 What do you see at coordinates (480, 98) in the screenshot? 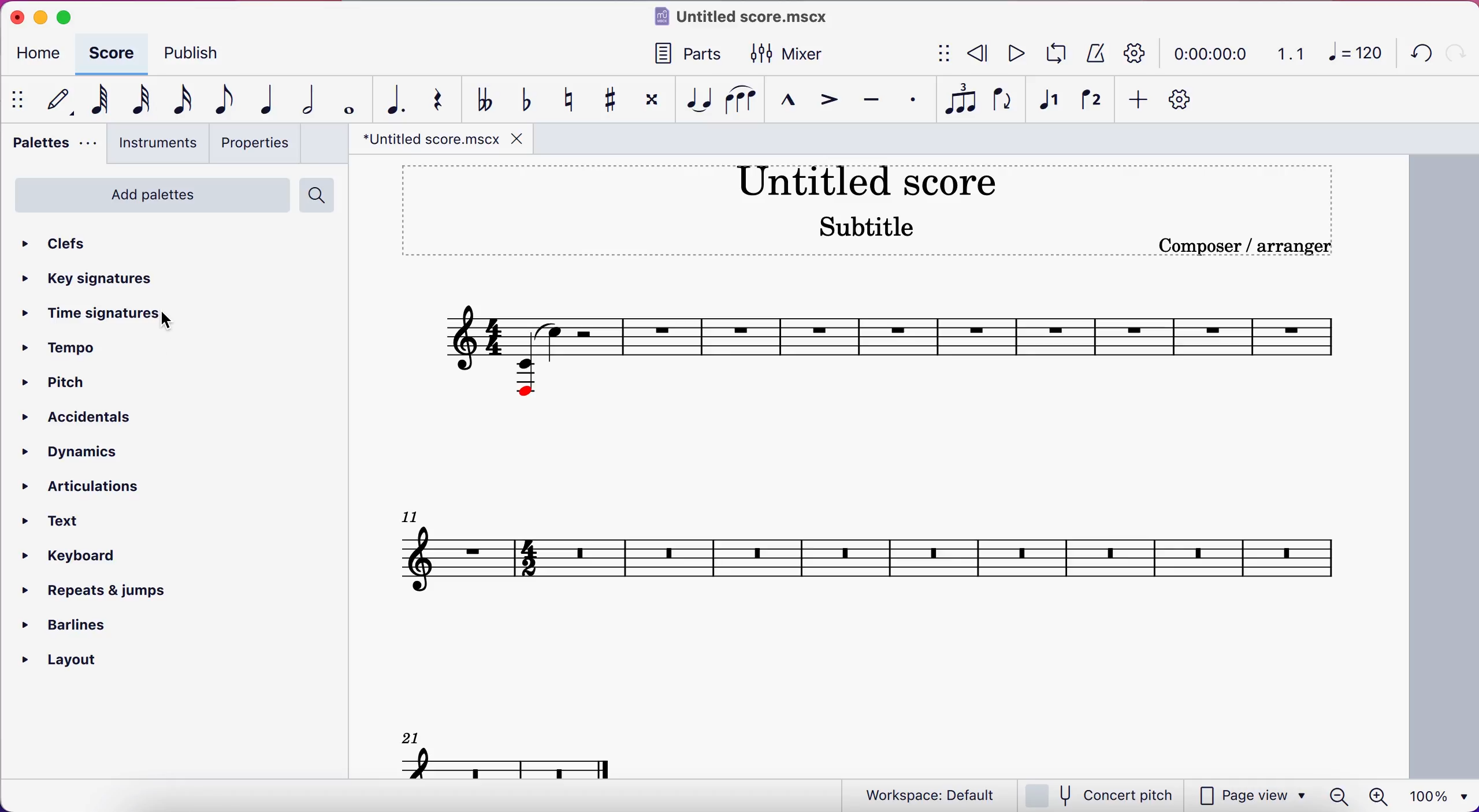
I see `flat` at bounding box center [480, 98].